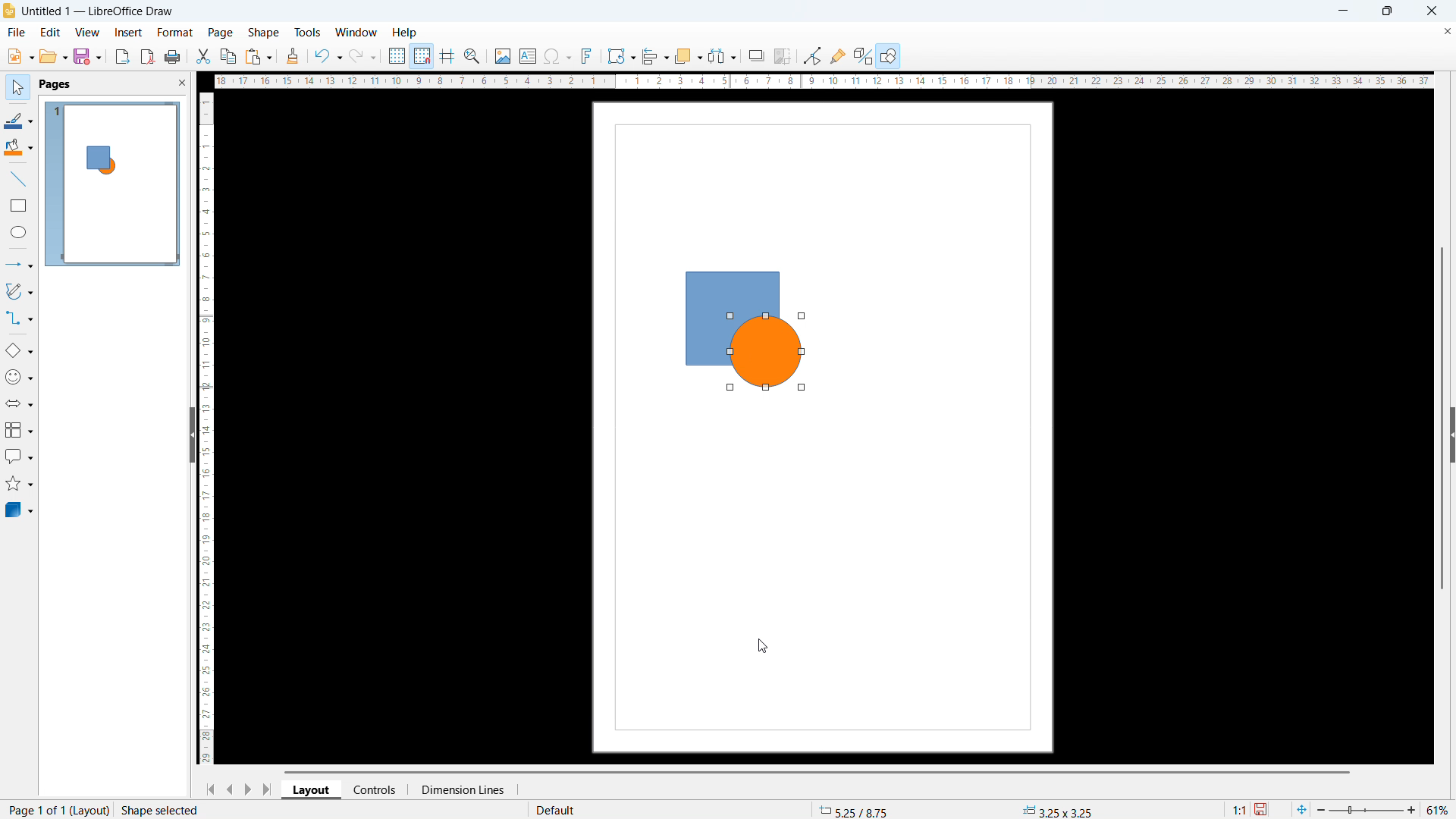  Describe the element at coordinates (262, 33) in the screenshot. I see `shape ` at that location.